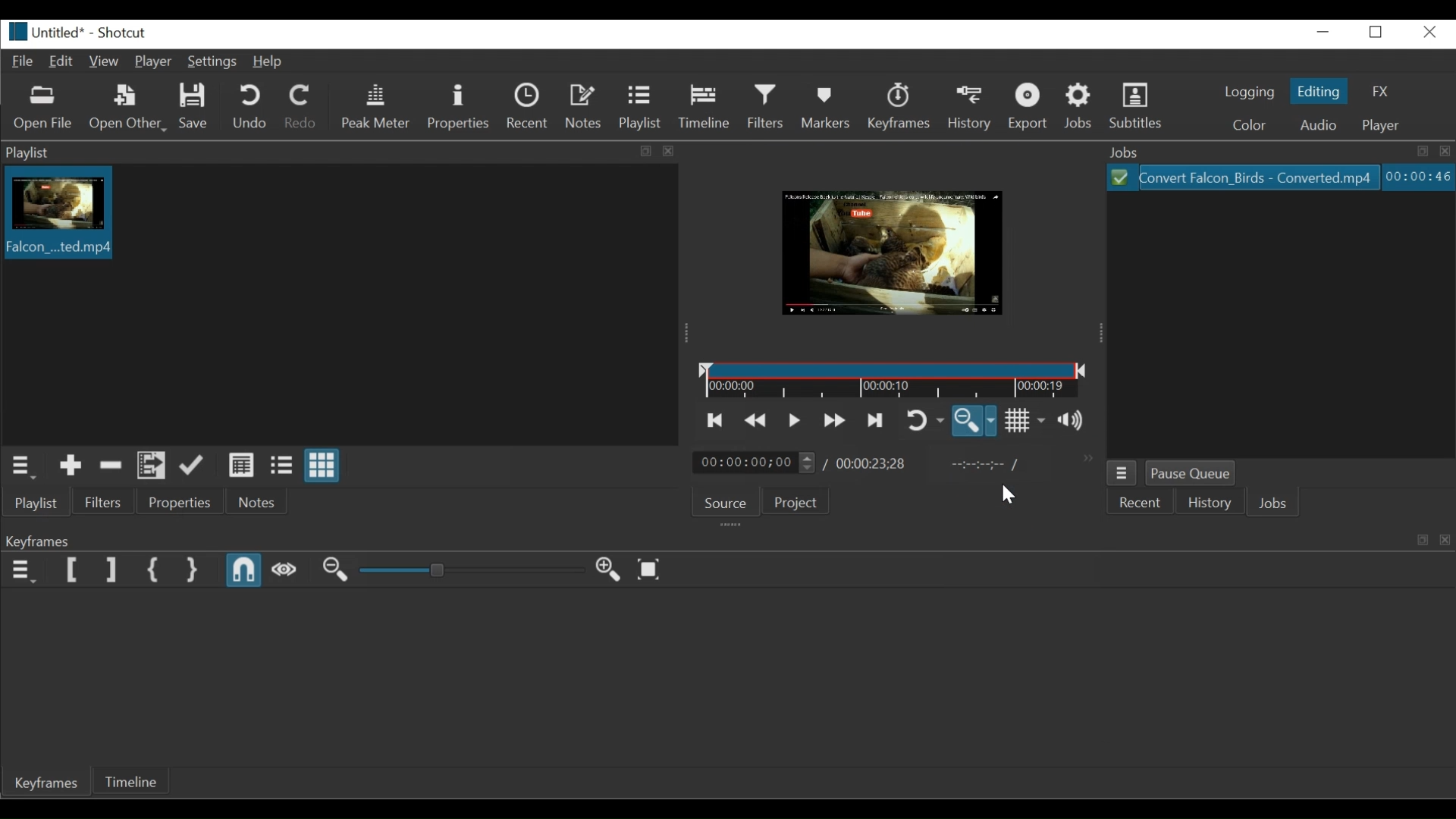 This screenshot has height=819, width=1456. I want to click on Skip to the previous point, so click(711, 420).